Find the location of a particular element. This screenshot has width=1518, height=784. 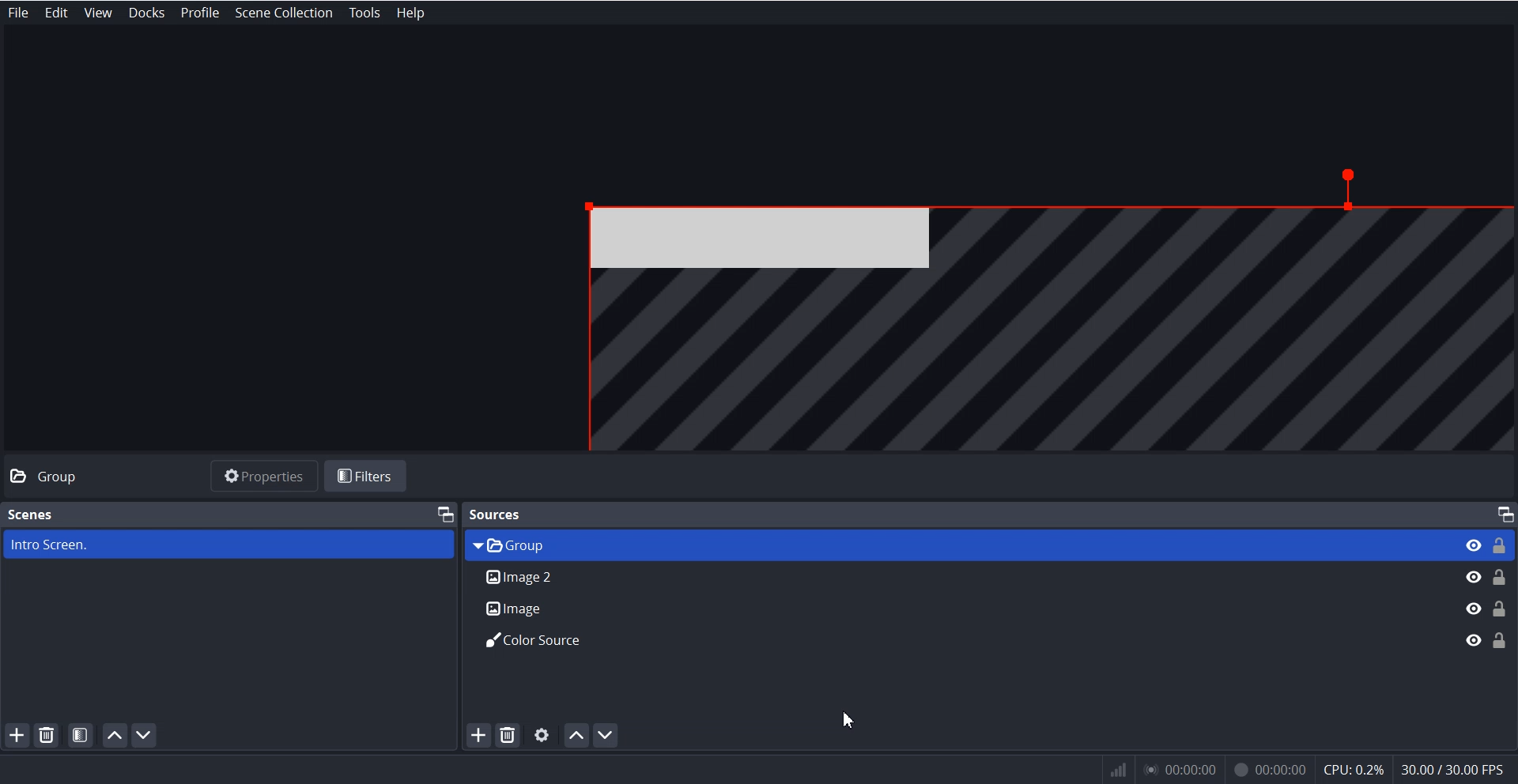

Tools is located at coordinates (365, 13).